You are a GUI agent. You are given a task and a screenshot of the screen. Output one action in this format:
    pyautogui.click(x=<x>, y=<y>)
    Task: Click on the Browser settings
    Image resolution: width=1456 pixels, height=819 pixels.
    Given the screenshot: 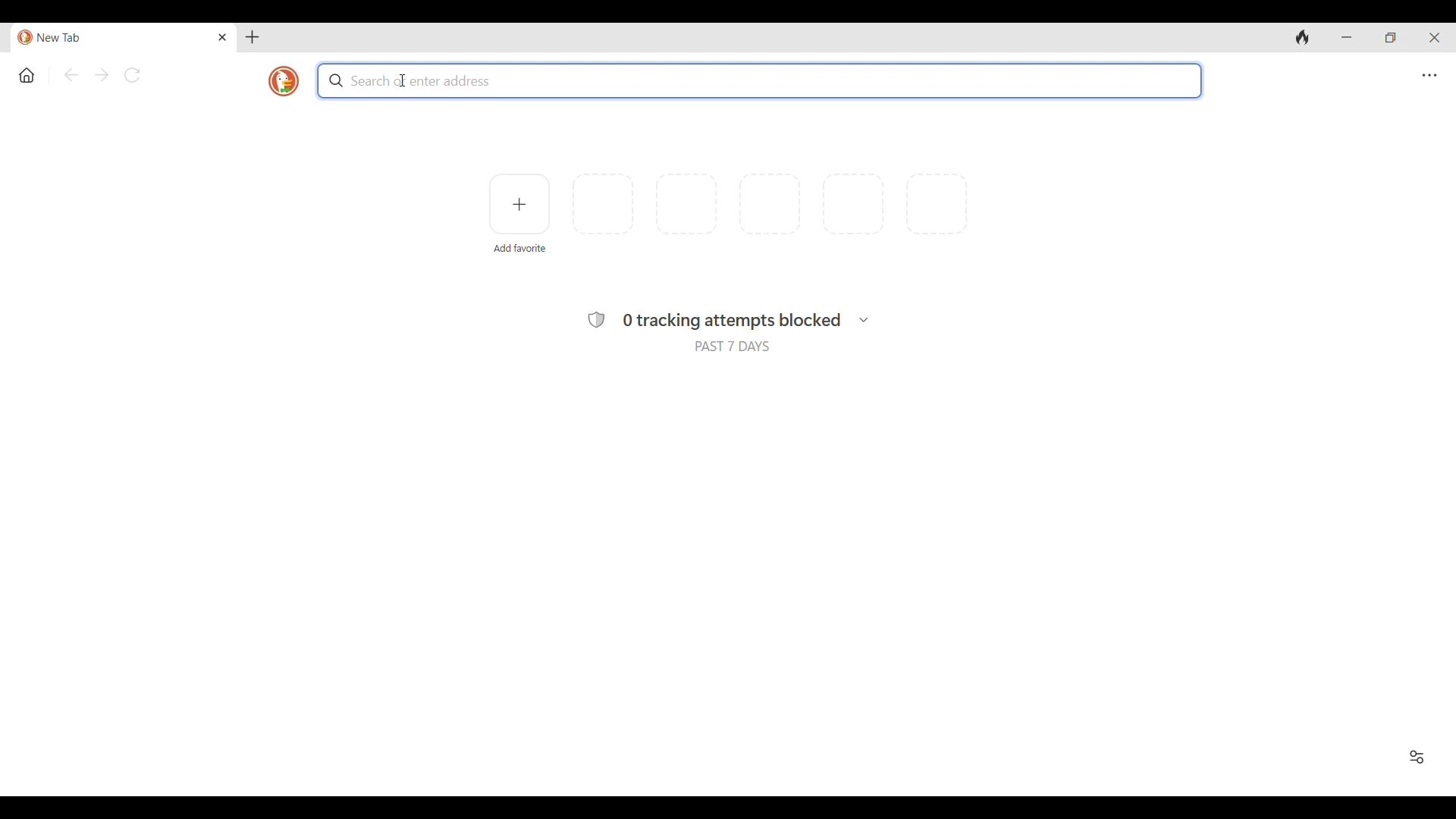 What is the action you would take?
    pyautogui.click(x=1429, y=75)
    